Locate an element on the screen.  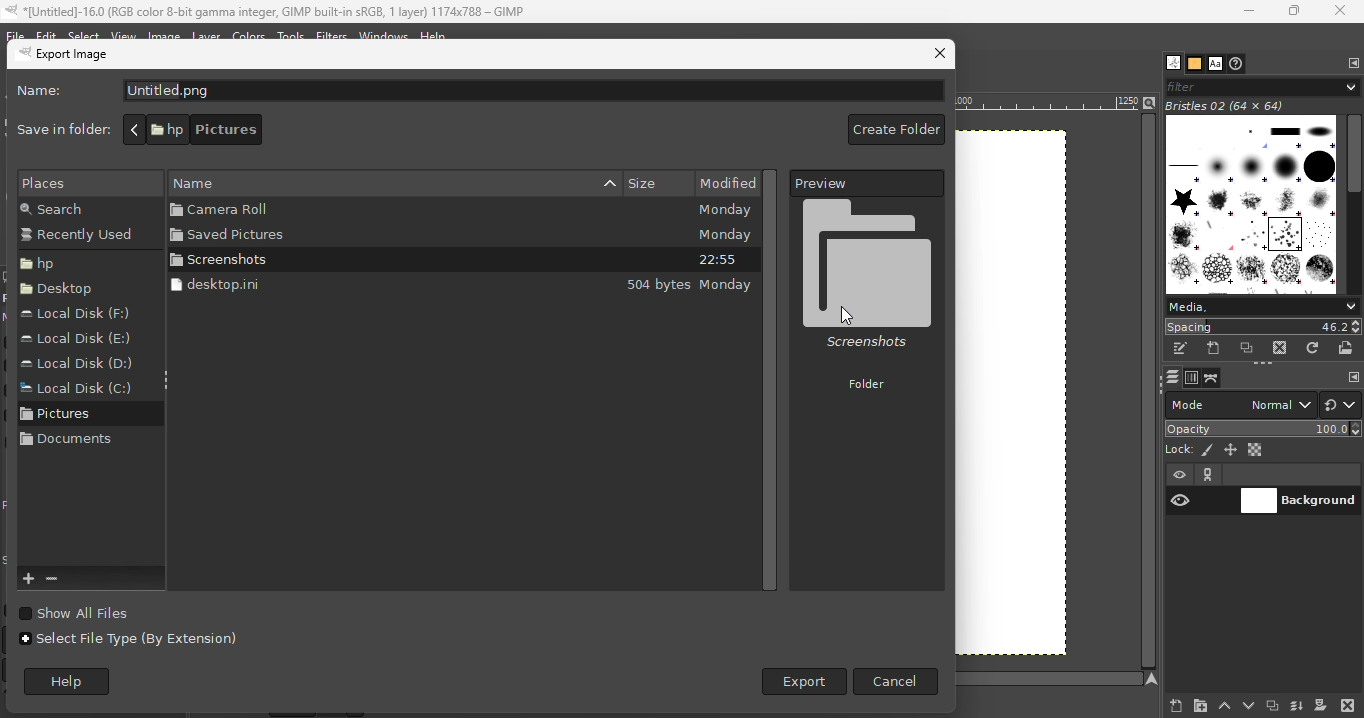
Opacity     100.0 is located at coordinates (1264, 428).